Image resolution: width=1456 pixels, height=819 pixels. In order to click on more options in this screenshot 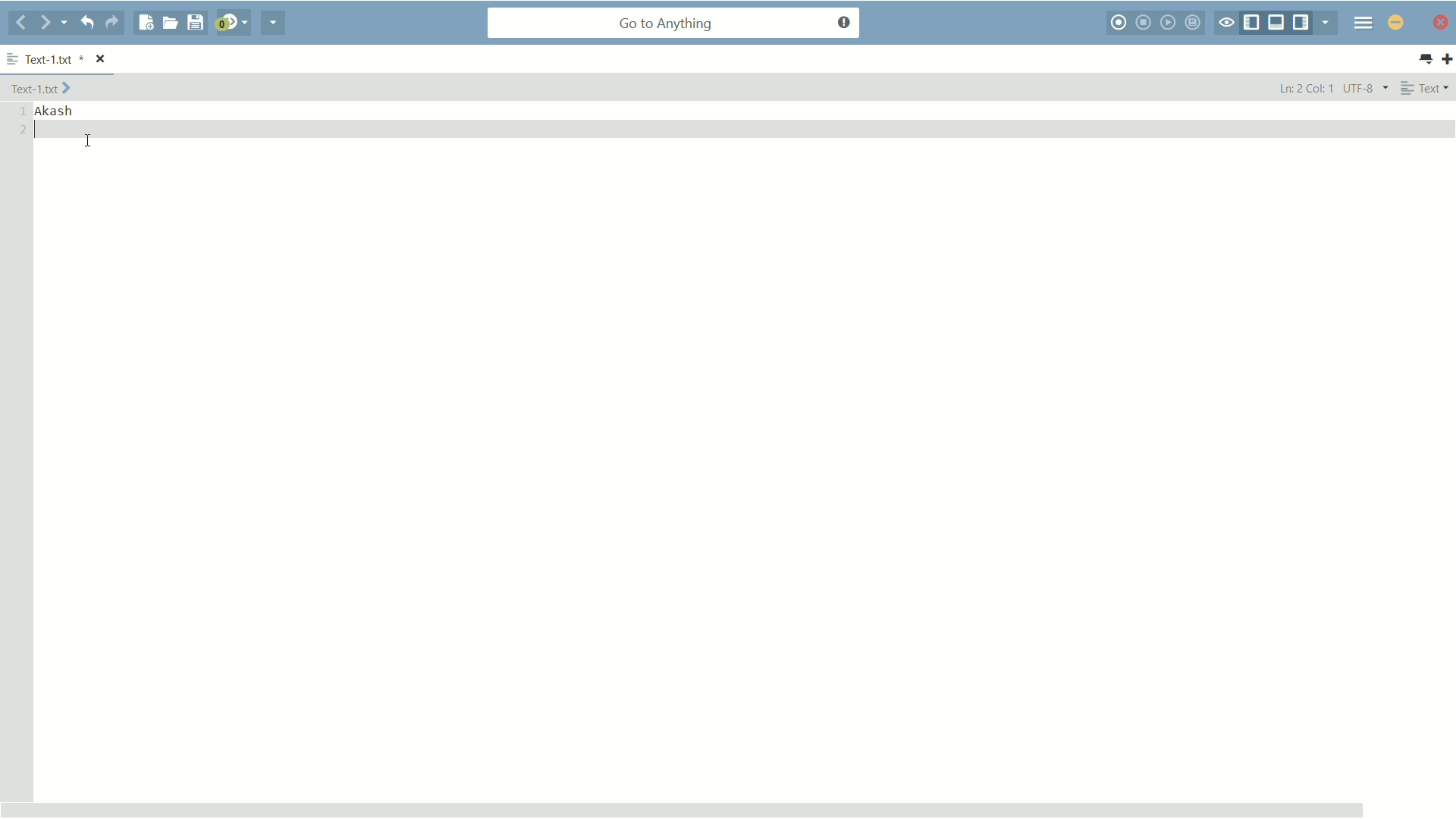, I will do `click(12, 56)`.